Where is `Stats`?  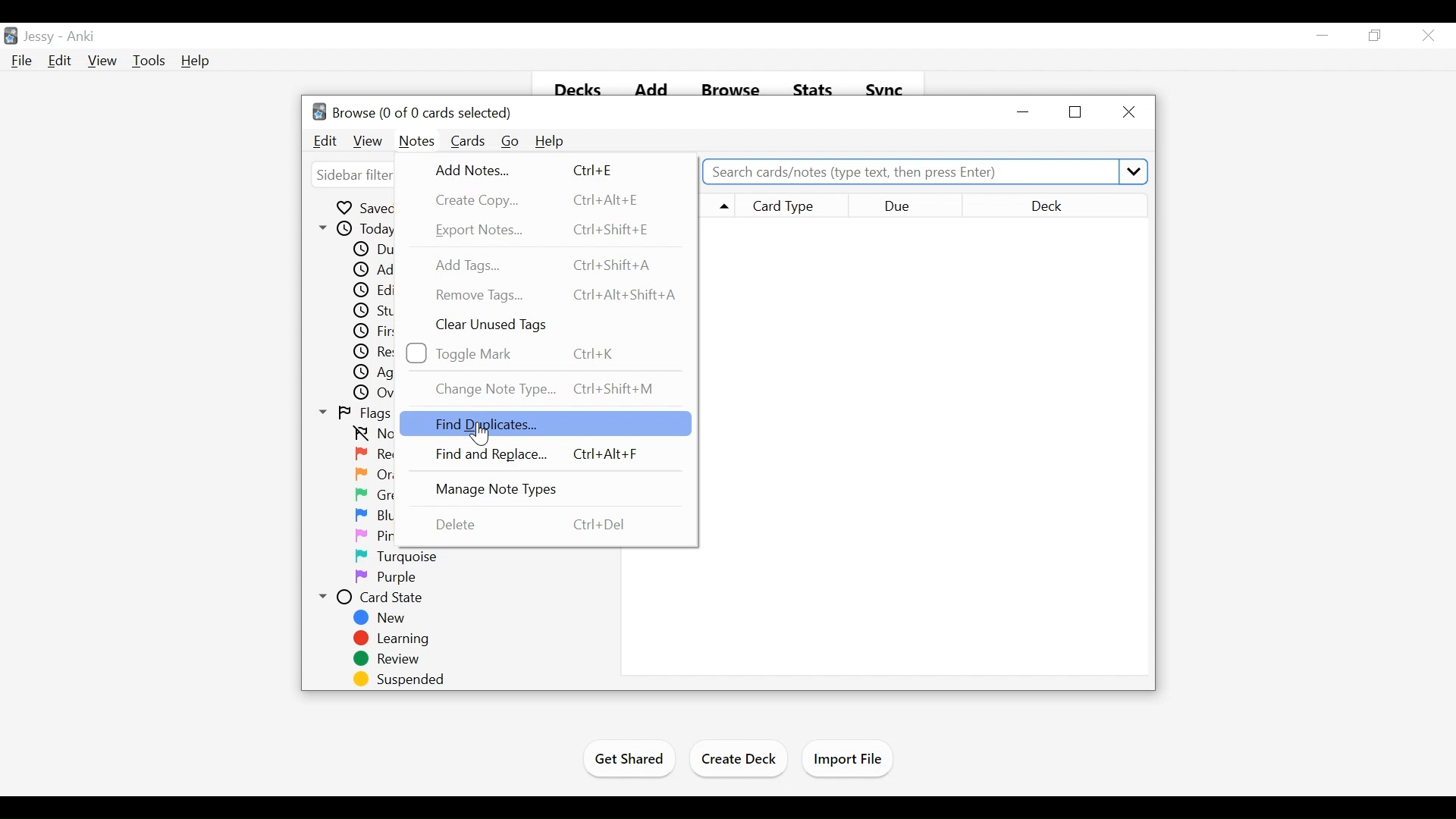
Stats is located at coordinates (811, 86).